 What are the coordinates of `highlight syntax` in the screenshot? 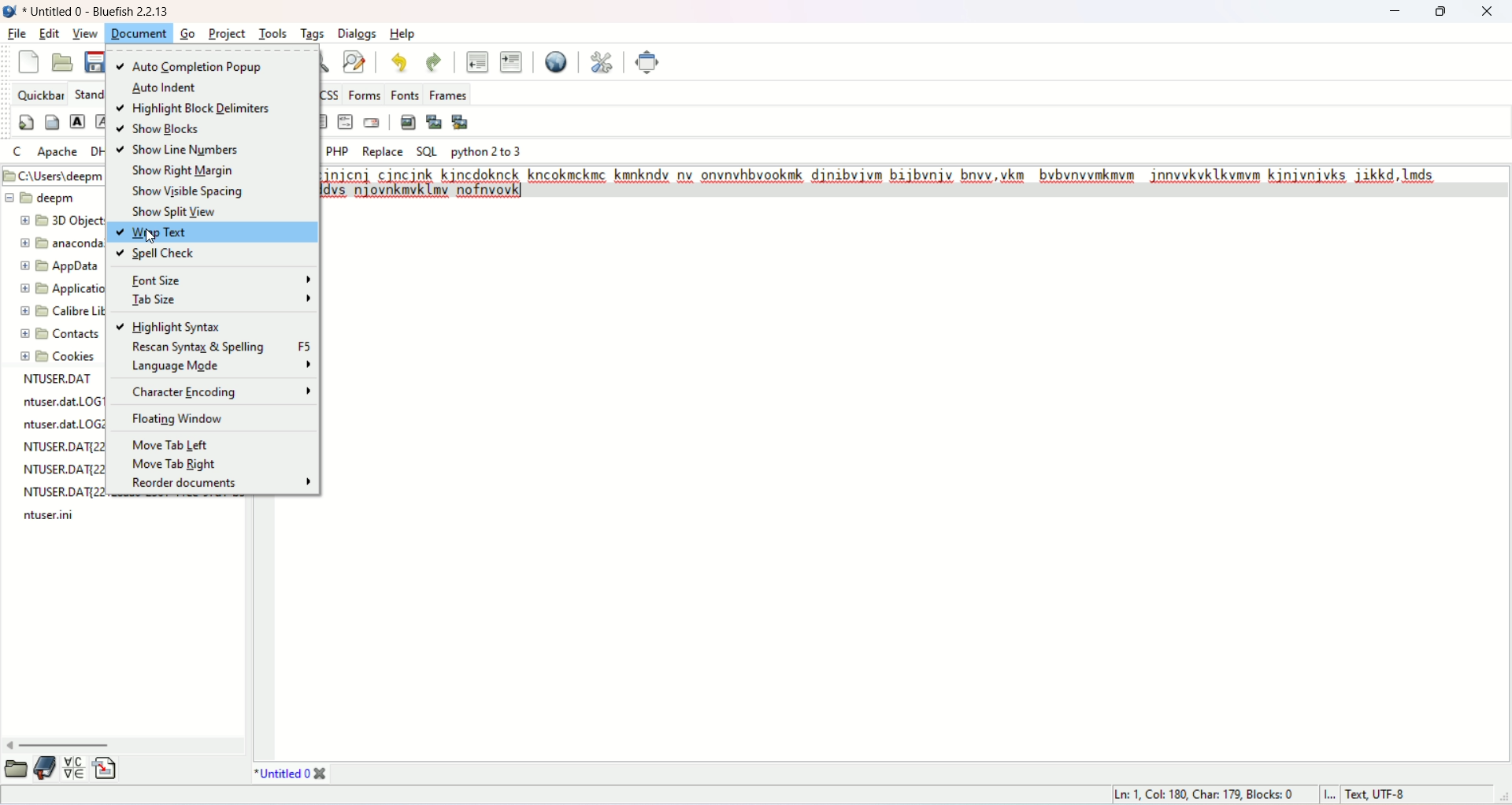 It's located at (172, 325).